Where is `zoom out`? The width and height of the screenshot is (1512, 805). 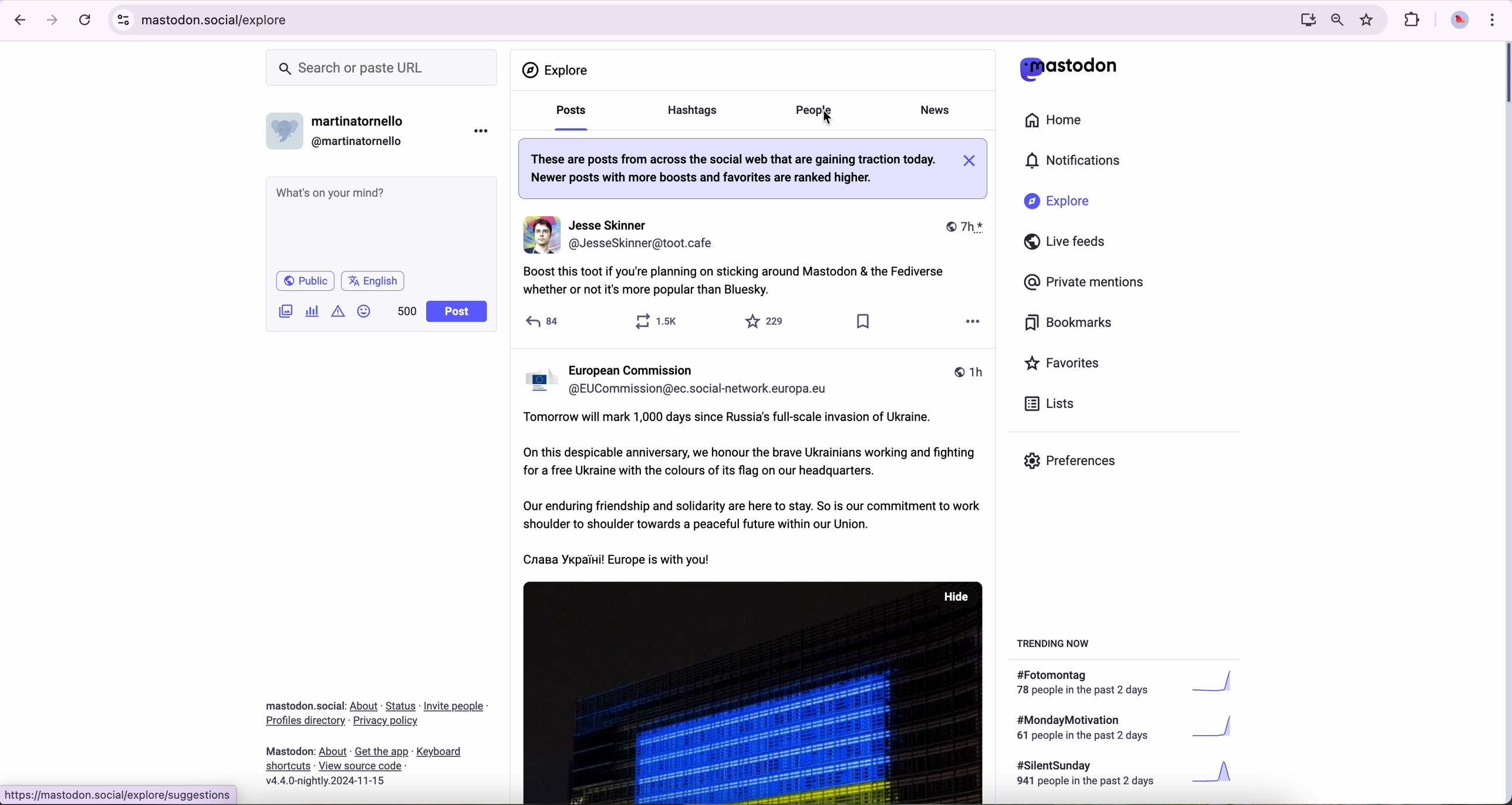 zoom out is located at coordinates (1336, 19).